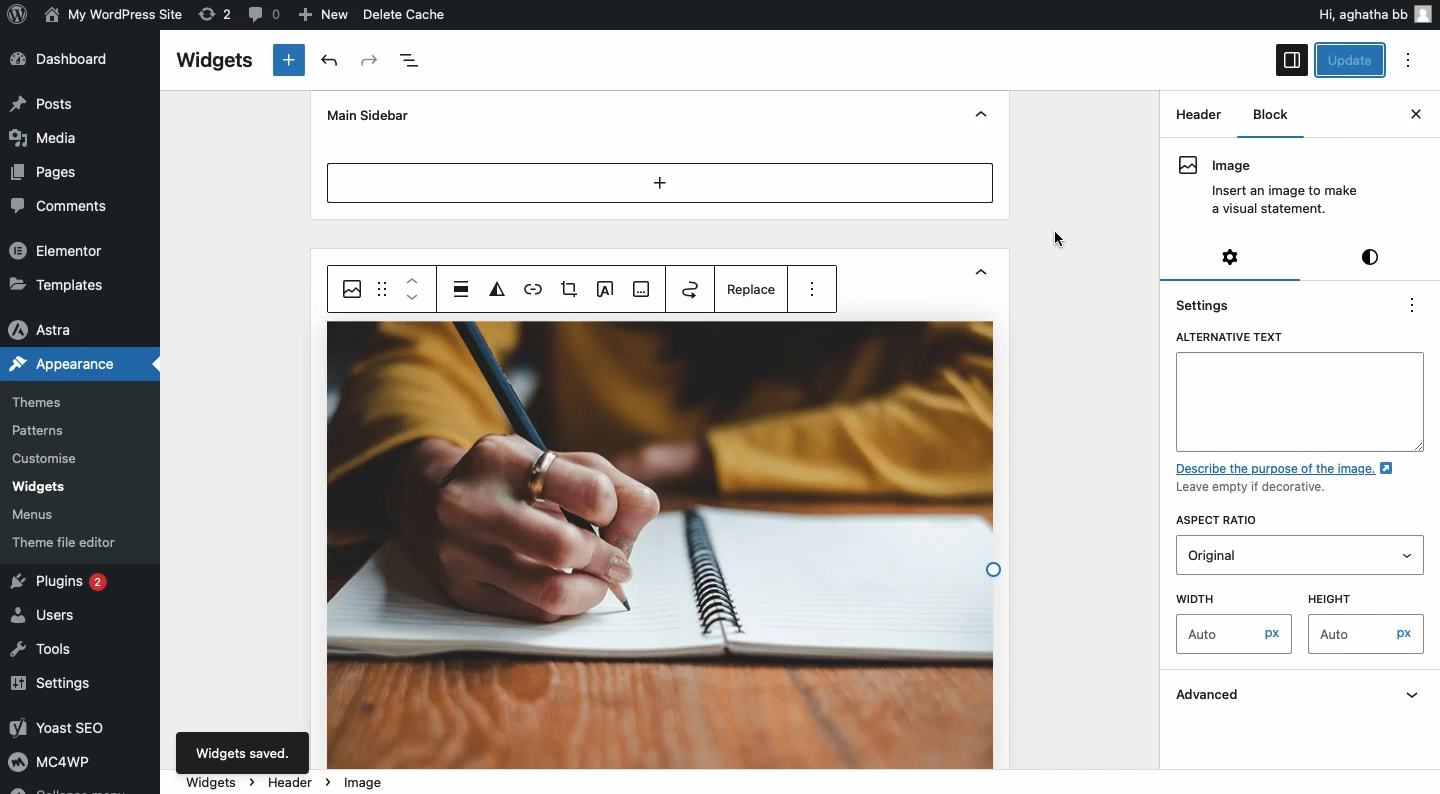 The height and width of the screenshot is (794, 1440). Describe the element at coordinates (44, 331) in the screenshot. I see `Astra` at that location.